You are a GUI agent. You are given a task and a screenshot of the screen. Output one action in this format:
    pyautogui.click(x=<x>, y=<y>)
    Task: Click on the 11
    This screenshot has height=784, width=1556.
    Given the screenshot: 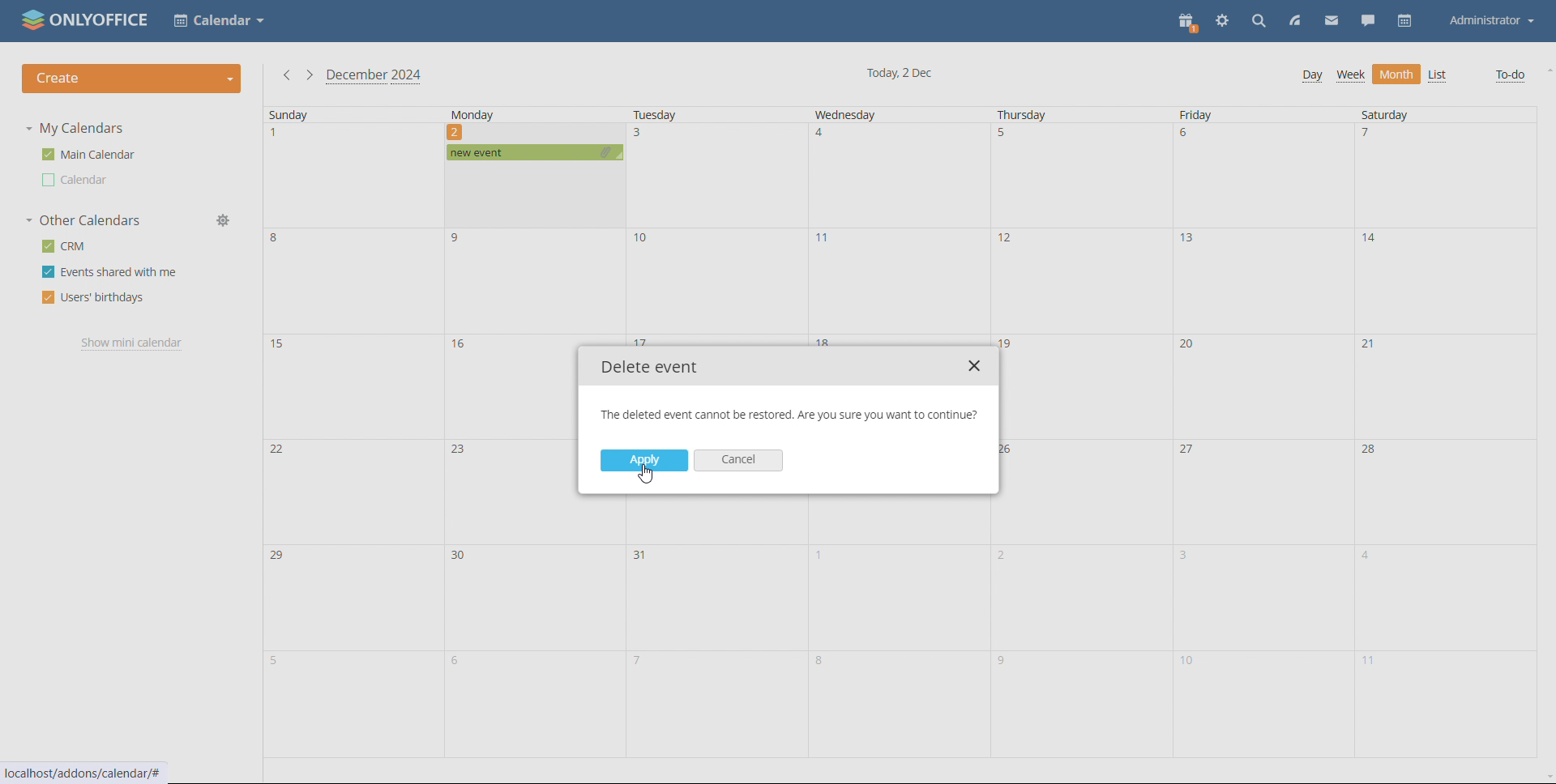 What is the action you would take?
    pyautogui.click(x=828, y=242)
    